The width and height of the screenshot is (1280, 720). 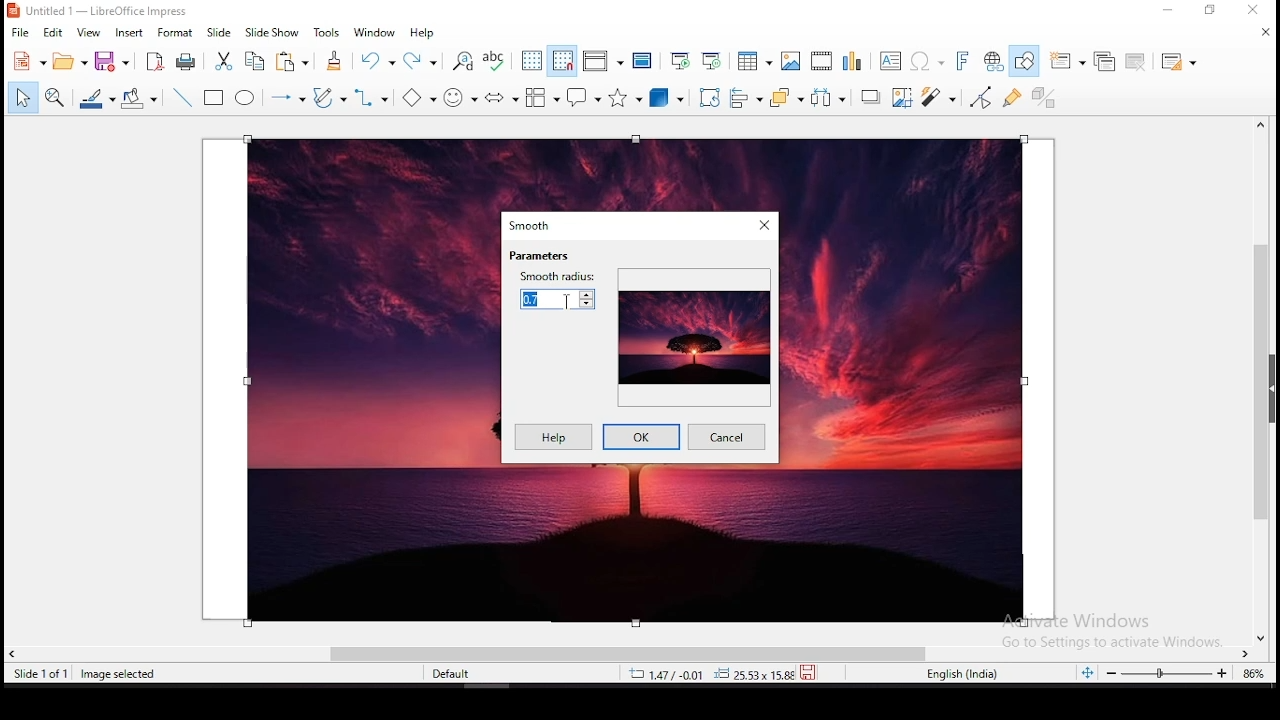 I want to click on mouse pointer, so click(x=570, y=301).